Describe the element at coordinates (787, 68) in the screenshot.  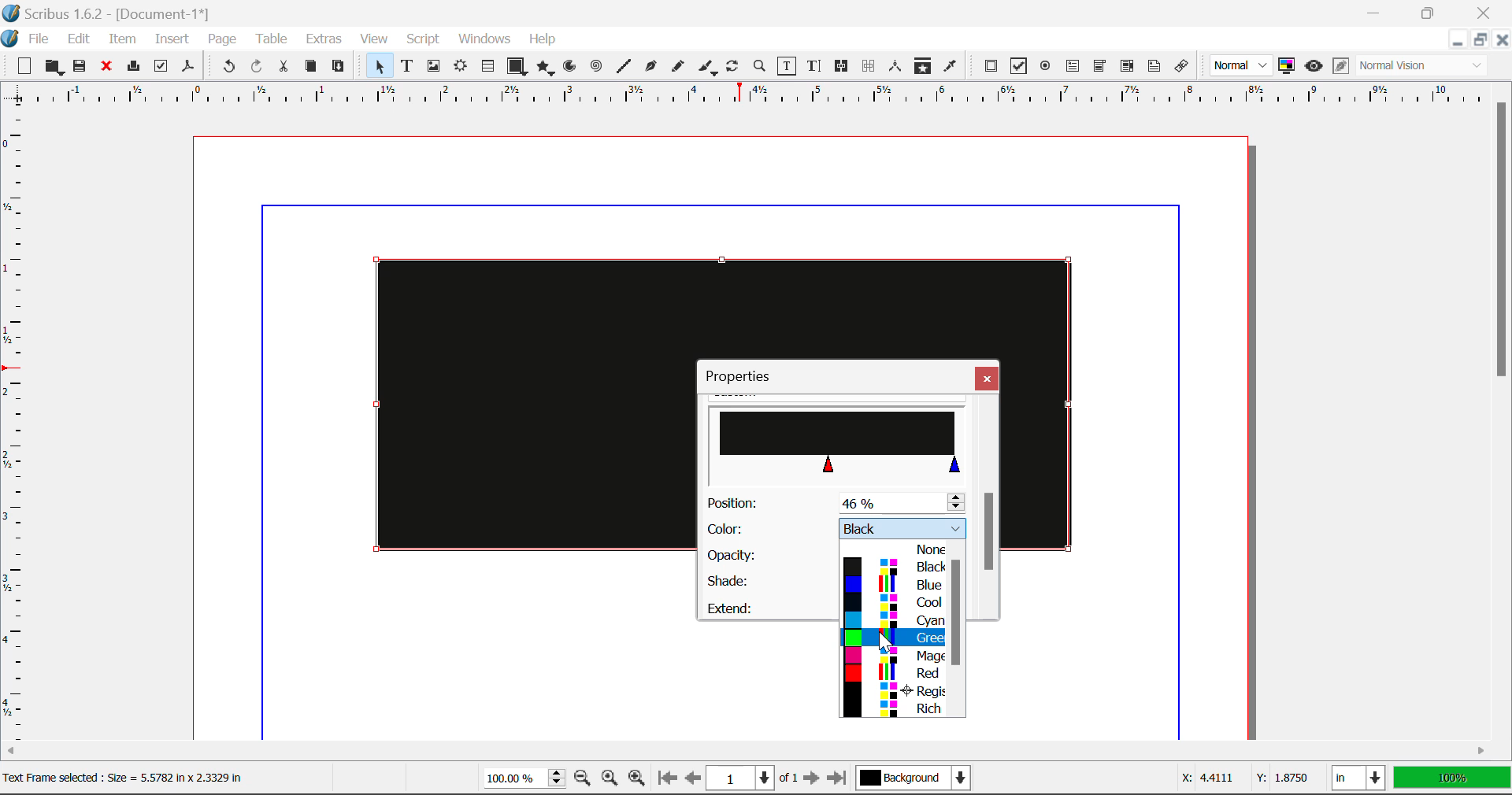
I see `Edit Contents of Frame` at that location.